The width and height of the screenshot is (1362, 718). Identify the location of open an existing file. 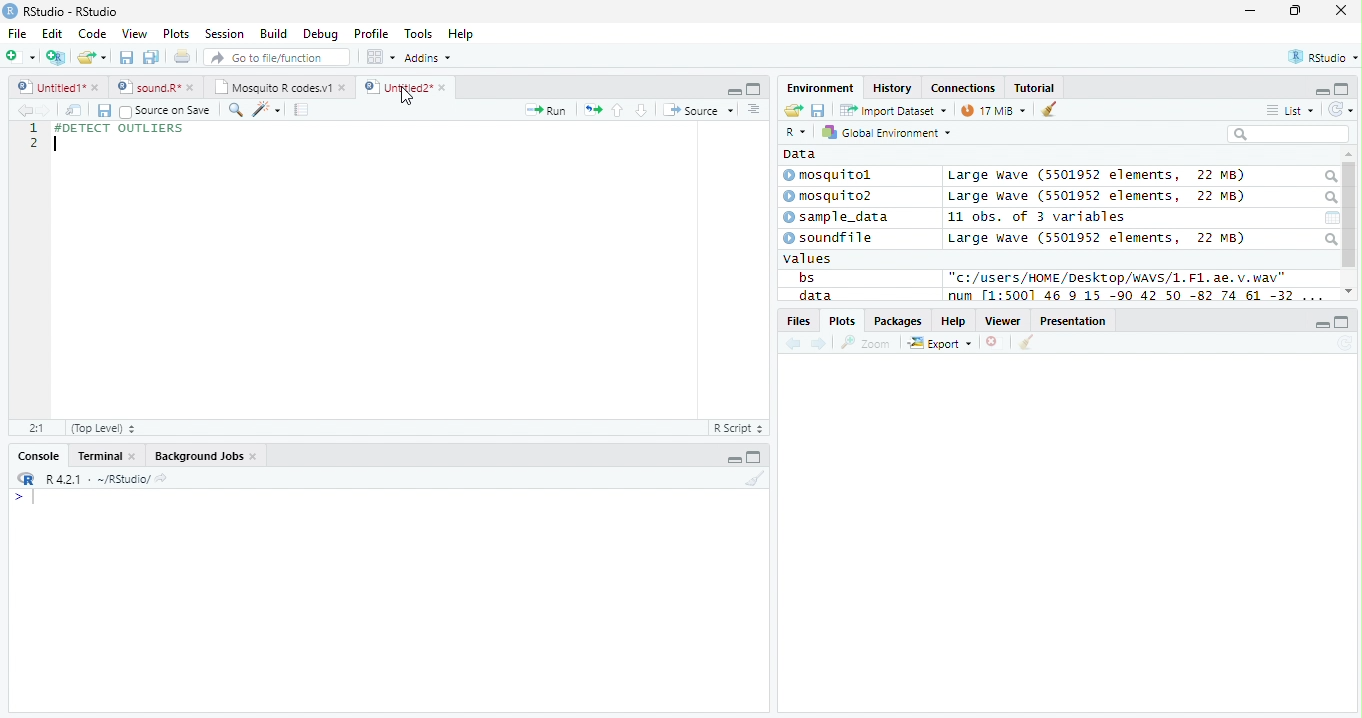
(92, 57).